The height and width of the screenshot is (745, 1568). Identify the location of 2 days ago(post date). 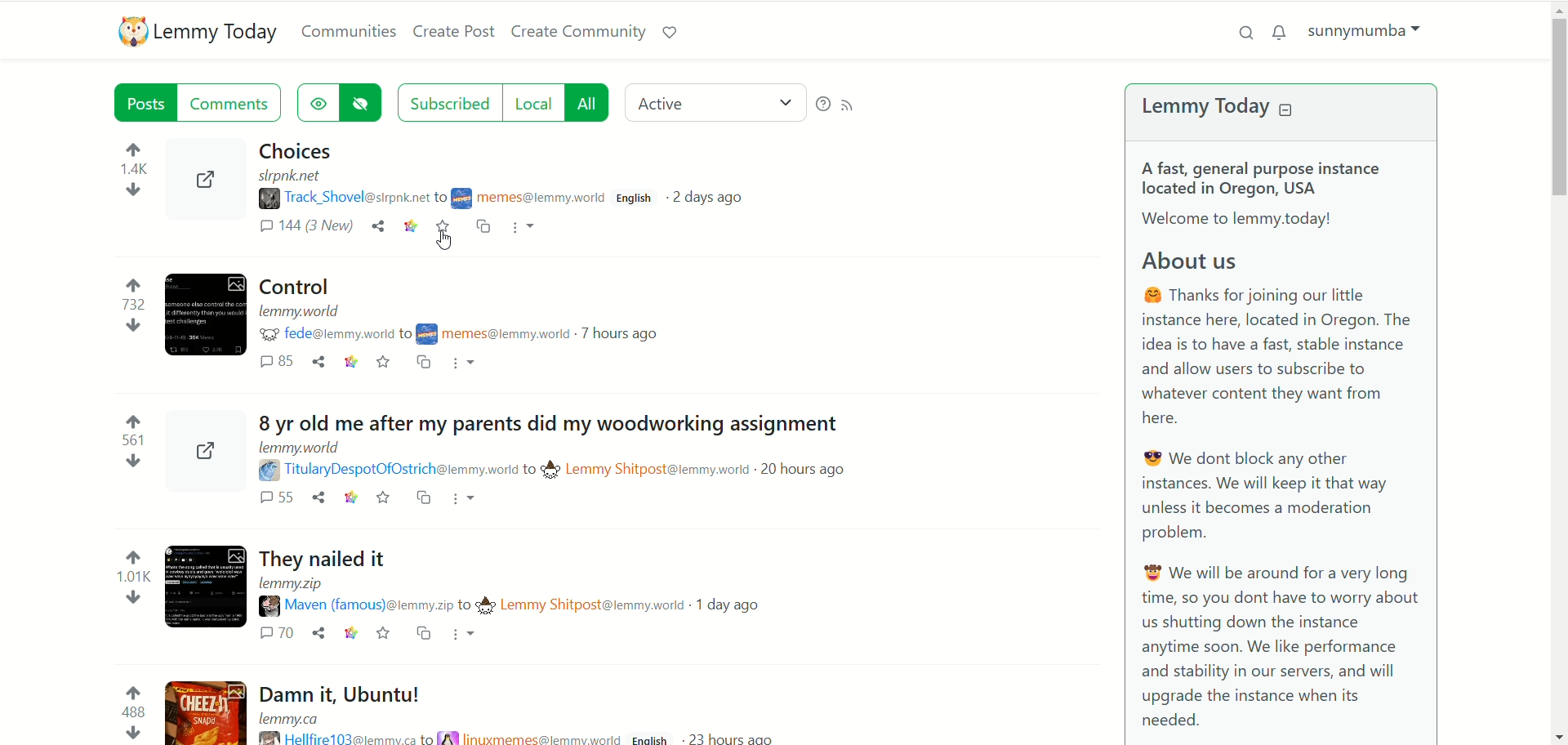
(716, 198).